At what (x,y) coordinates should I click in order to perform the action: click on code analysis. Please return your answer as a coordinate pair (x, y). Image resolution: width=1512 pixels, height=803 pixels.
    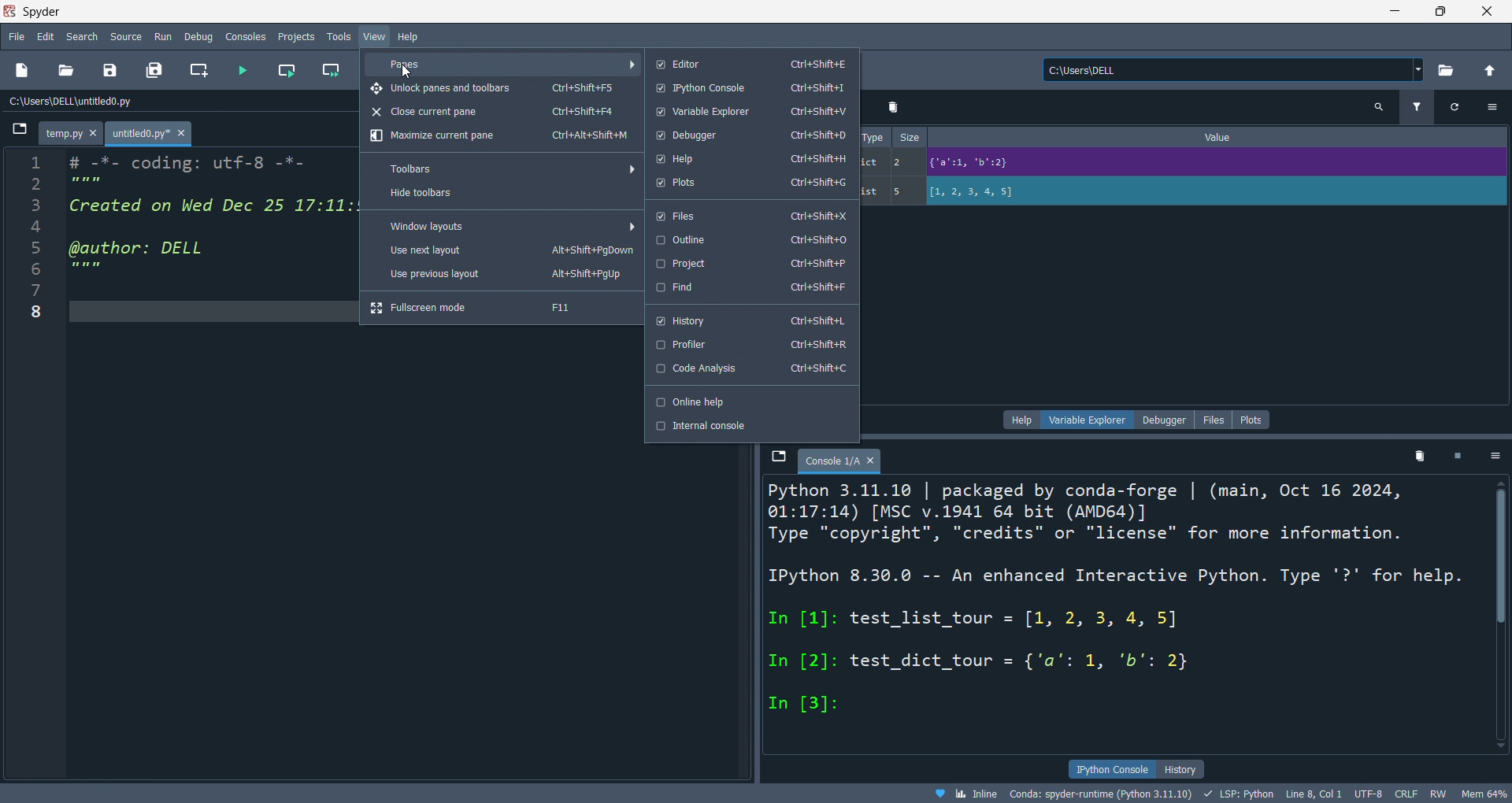
    Looking at the image, I should click on (751, 370).